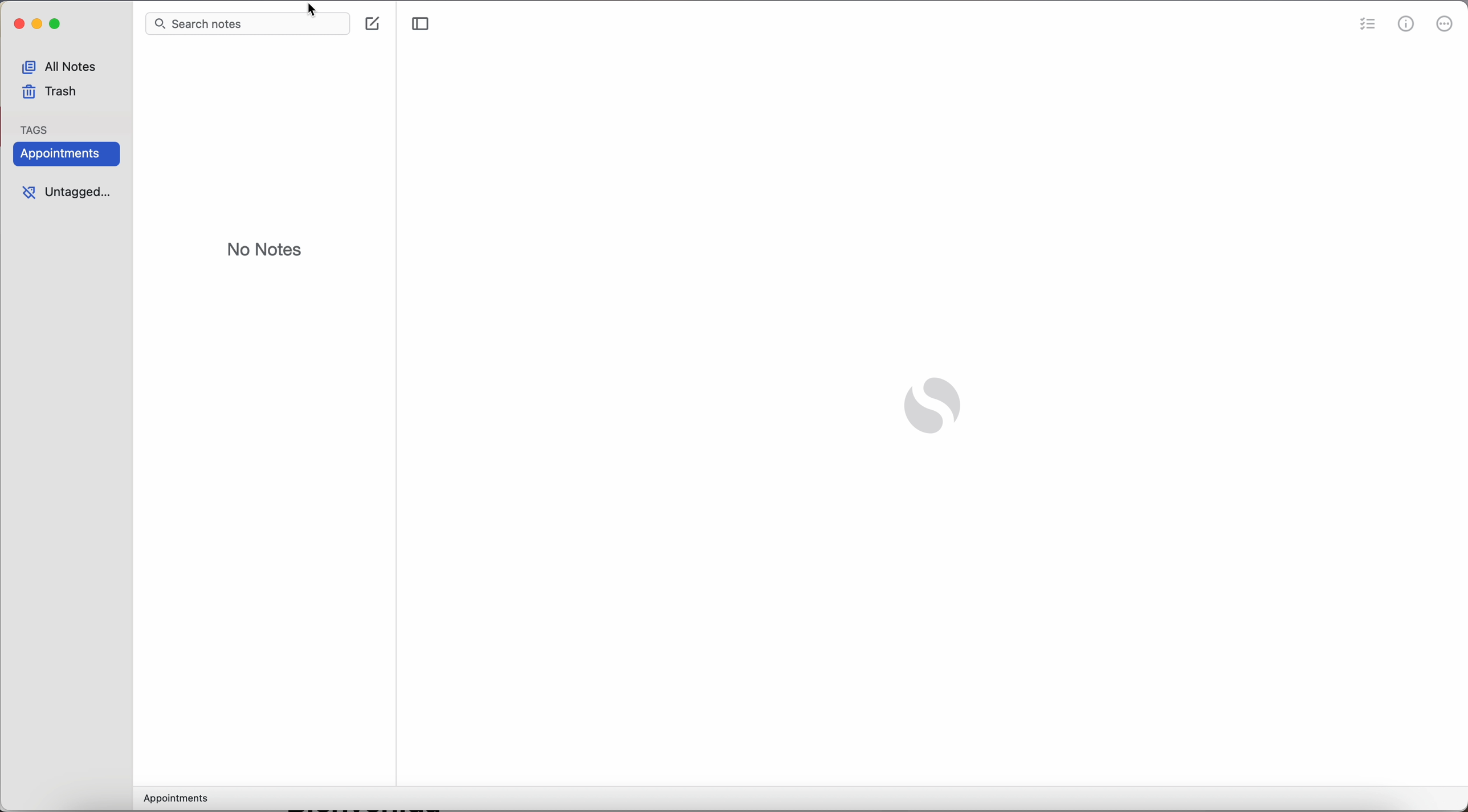  Describe the element at coordinates (38, 26) in the screenshot. I see `minimize Simplenote` at that location.